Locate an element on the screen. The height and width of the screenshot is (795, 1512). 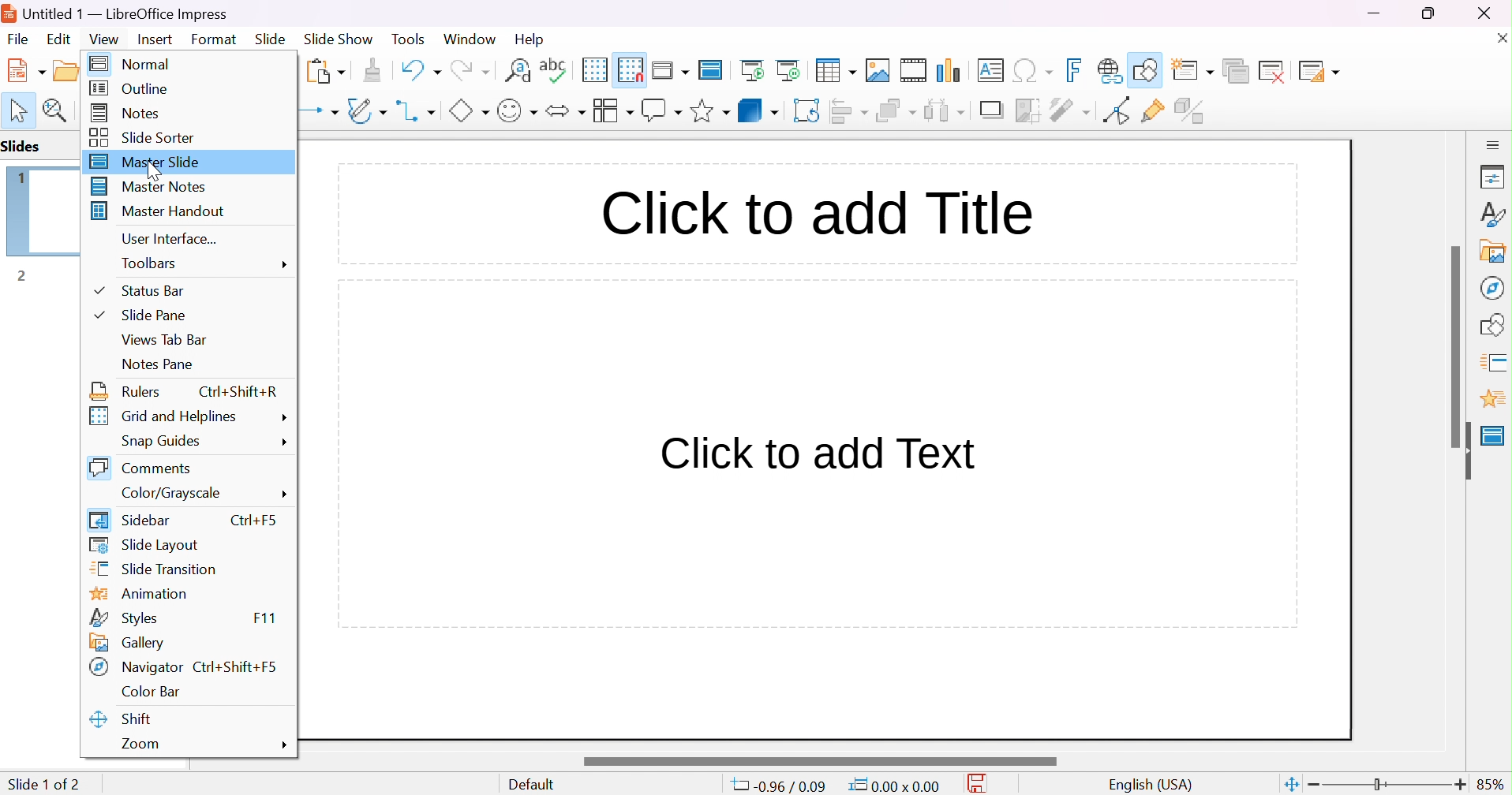
tools is located at coordinates (410, 39).